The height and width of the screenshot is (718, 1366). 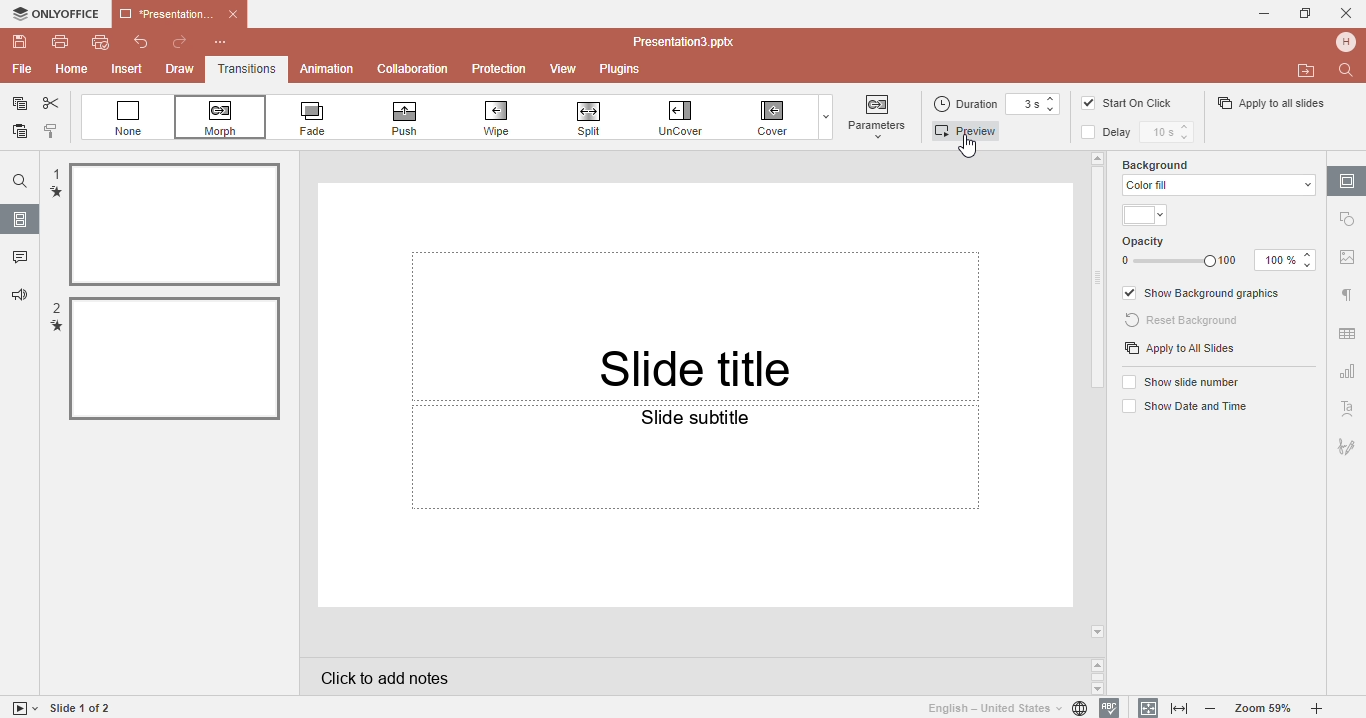 I want to click on Show slide numbers, so click(x=1184, y=381).